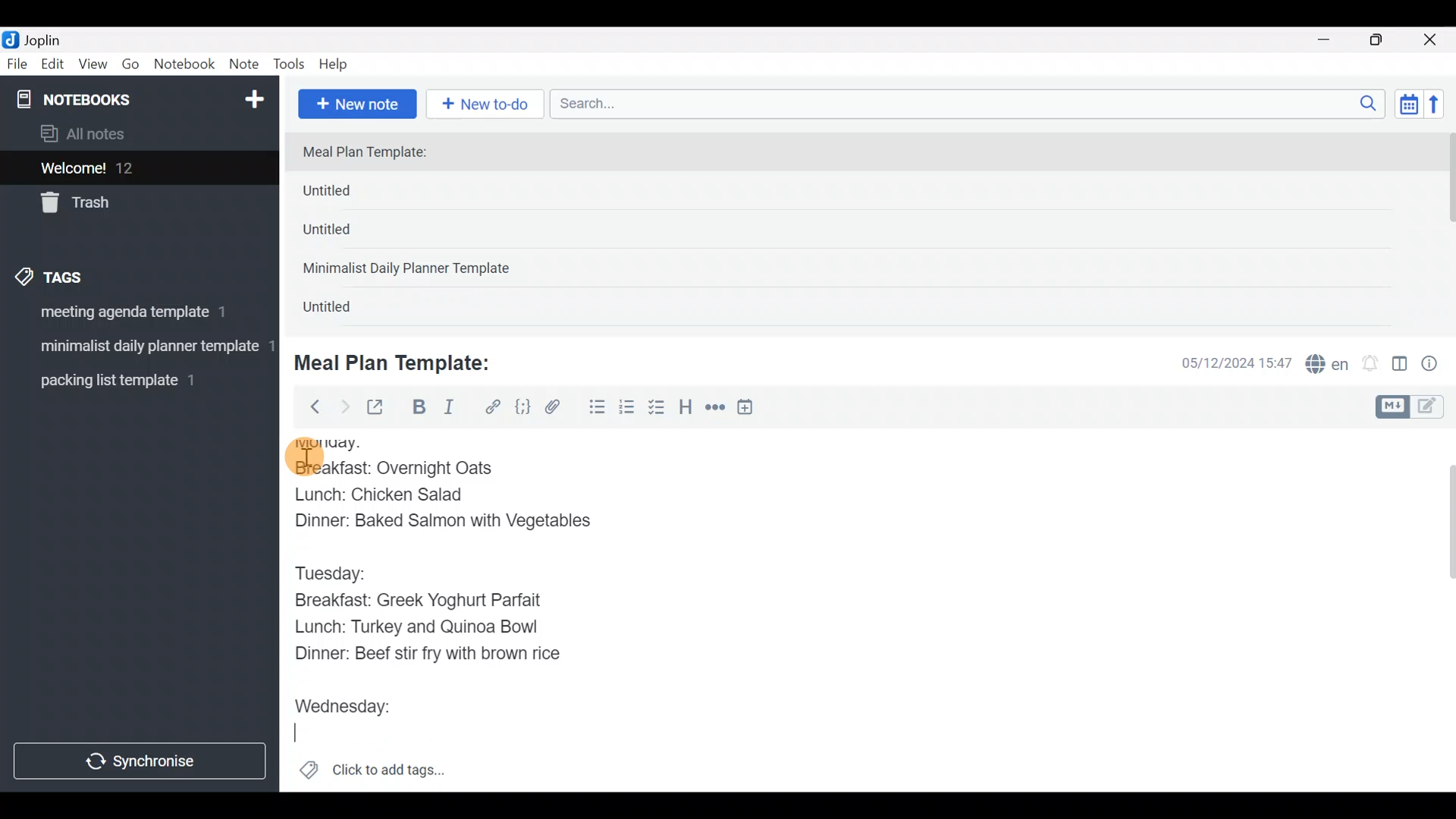 The width and height of the screenshot is (1456, 819). What do you see at coordinates (434, 601) in the screenshot?
I see `Breakfast: Greek Yoghurt Parfait` at bounding box center [434, 601].